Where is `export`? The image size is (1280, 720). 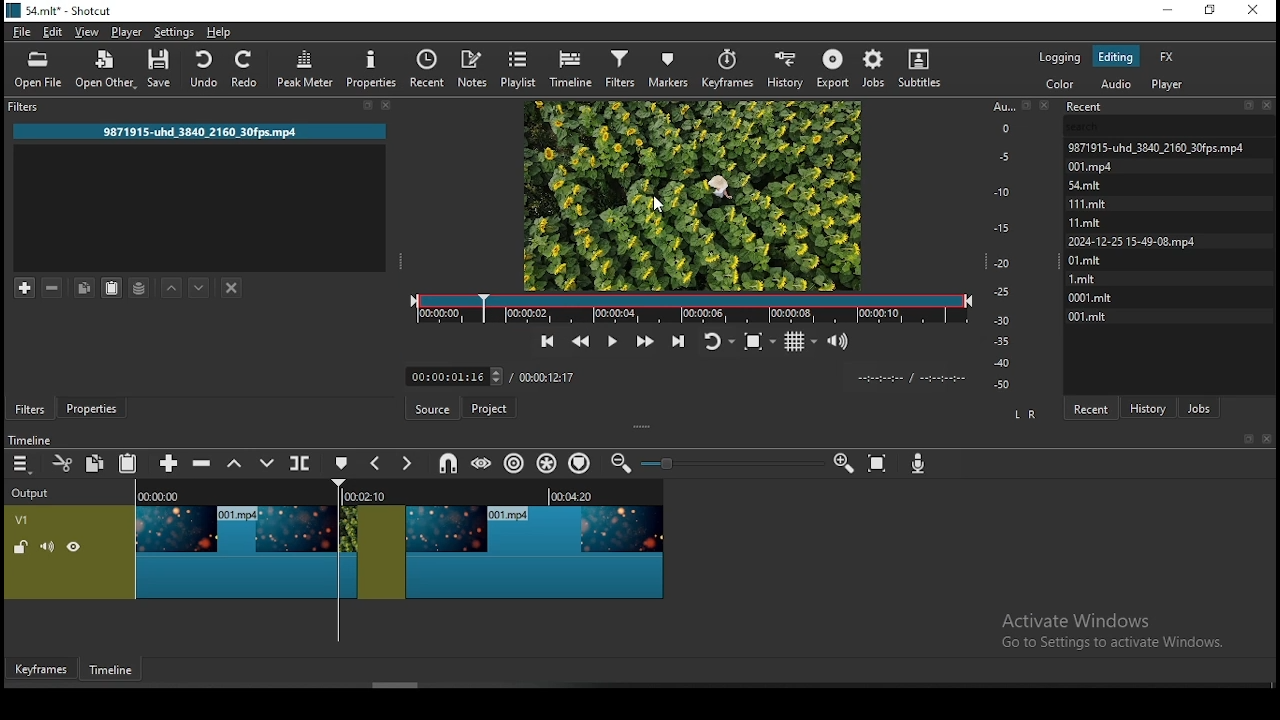 export is located at coordinates (834, 68).